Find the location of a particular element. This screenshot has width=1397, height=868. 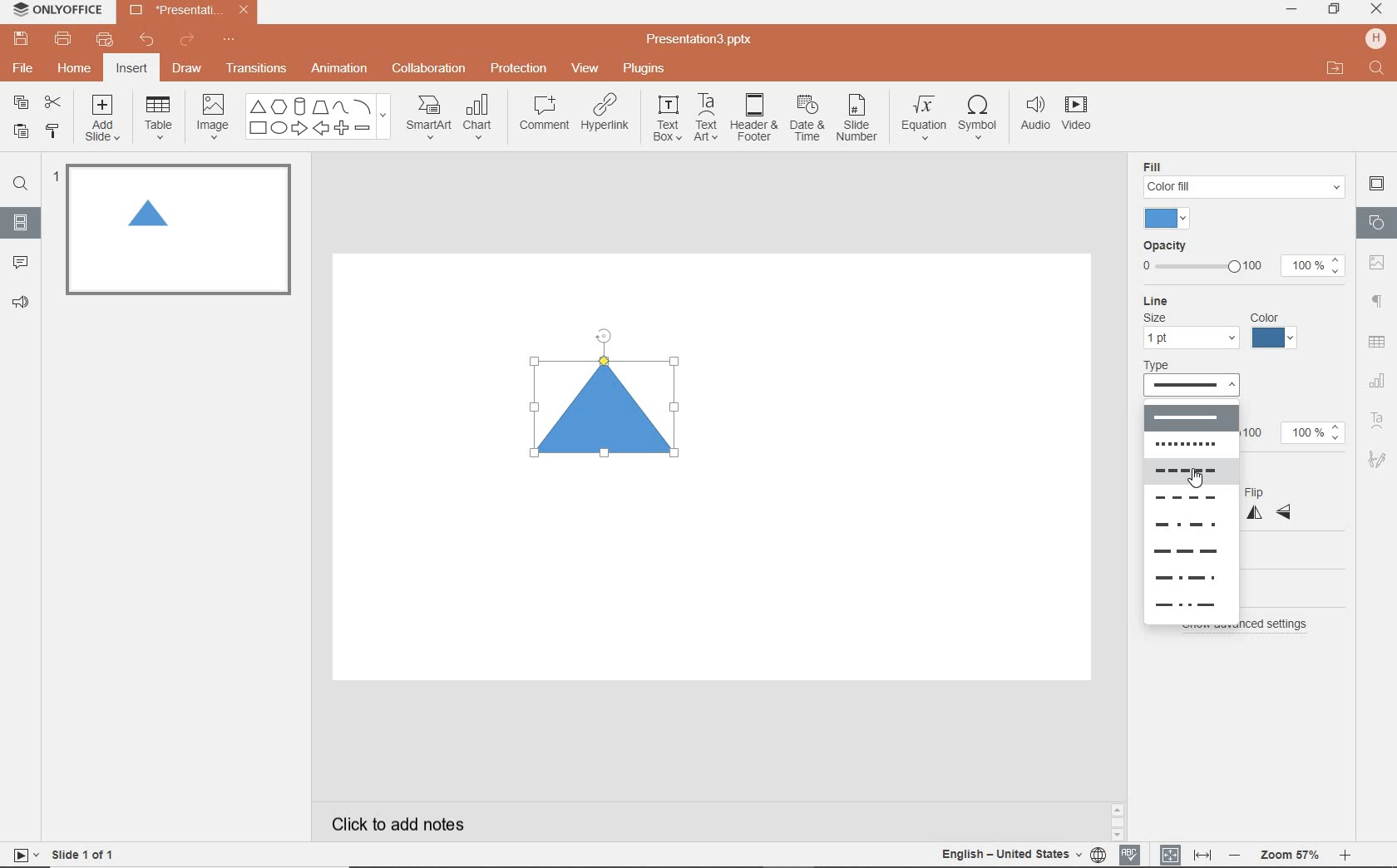

ANIMATION is located at coordinates (338, 70).